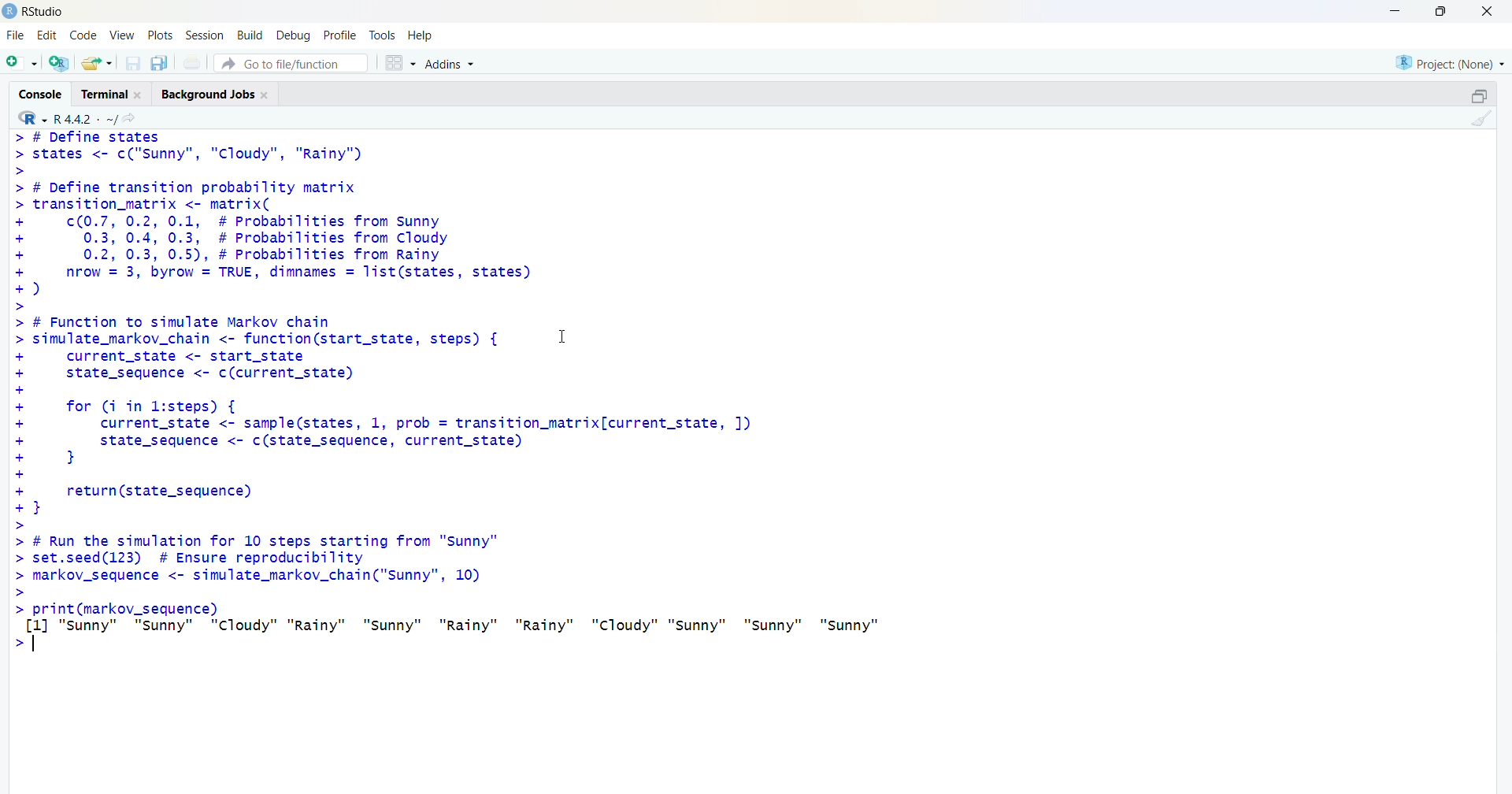  I want to click on > # Function to simulate Markov chain
simulate_markov_chain <- function(start_state, steps) { I
current_state <- start_state
state_sequence <- c(current_state)
for (i in l:steps) {
current_state <- sample(states, 1, prob = transition_matrix[current_state, ])
state_sequence <- c(state_sequence, current_state)
}
return(state_sequence)
}
# Run the simulation for 10 steps starting from "Sunny"
set.seed(123) # Ensure reproducibility
markov_sequence <- simulate_markov_chain("Sunny", 10), so click(424, 455).